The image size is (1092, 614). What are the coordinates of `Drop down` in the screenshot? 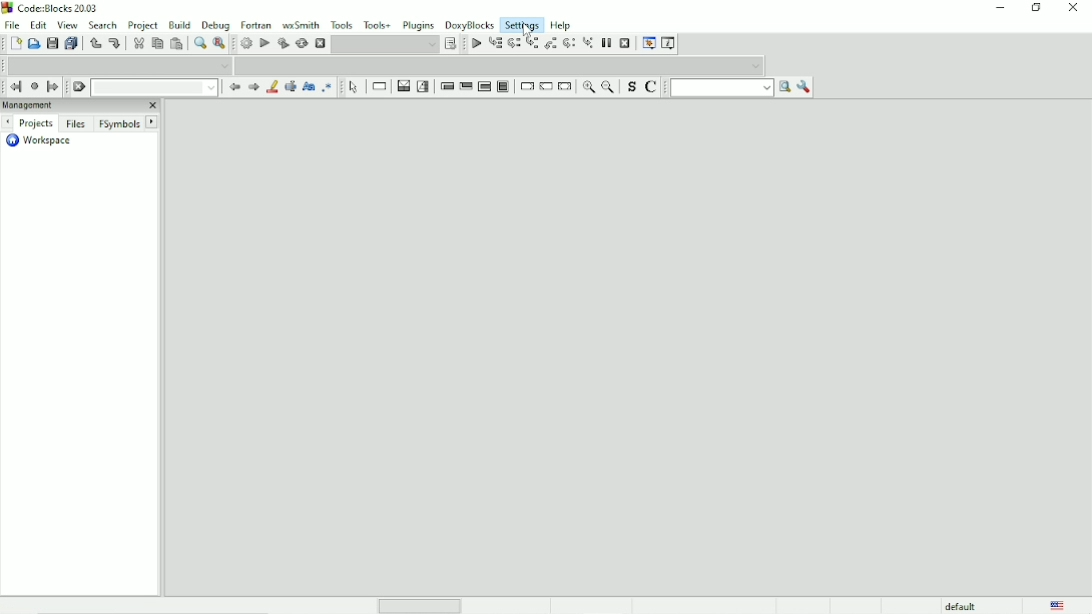 It's located at (210, 88).